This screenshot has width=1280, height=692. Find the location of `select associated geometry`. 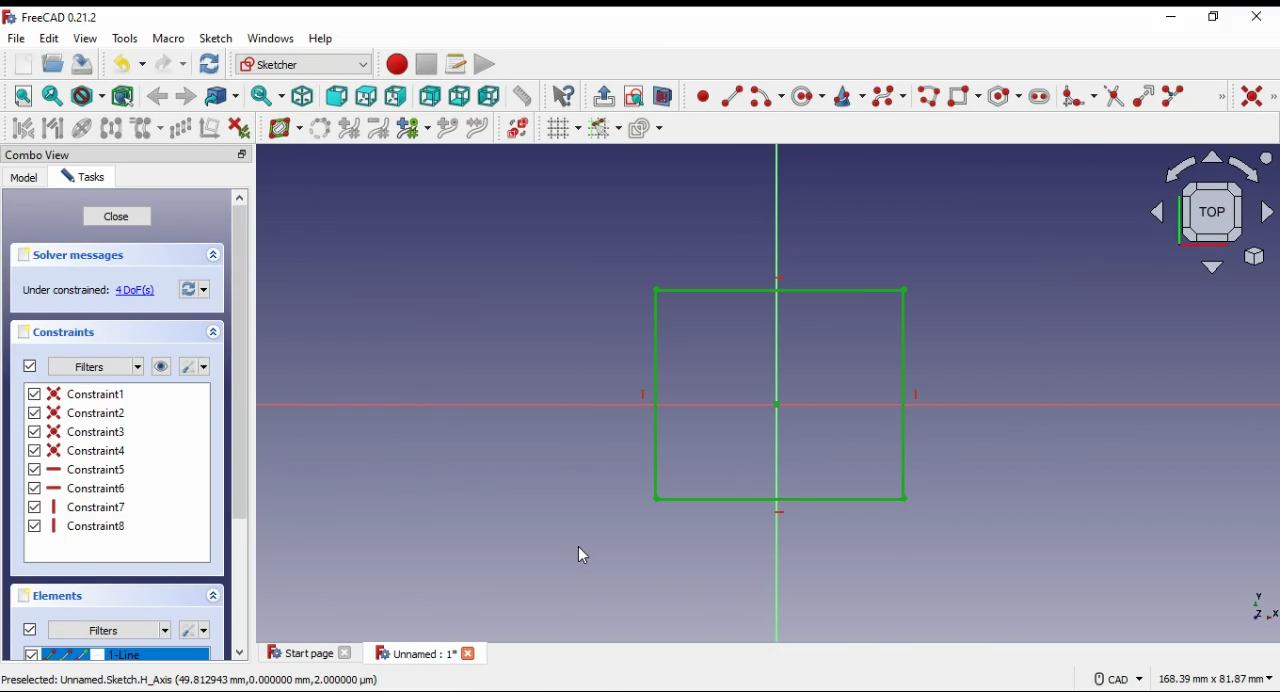

select associated geometry is located at coordinates (53, 128).